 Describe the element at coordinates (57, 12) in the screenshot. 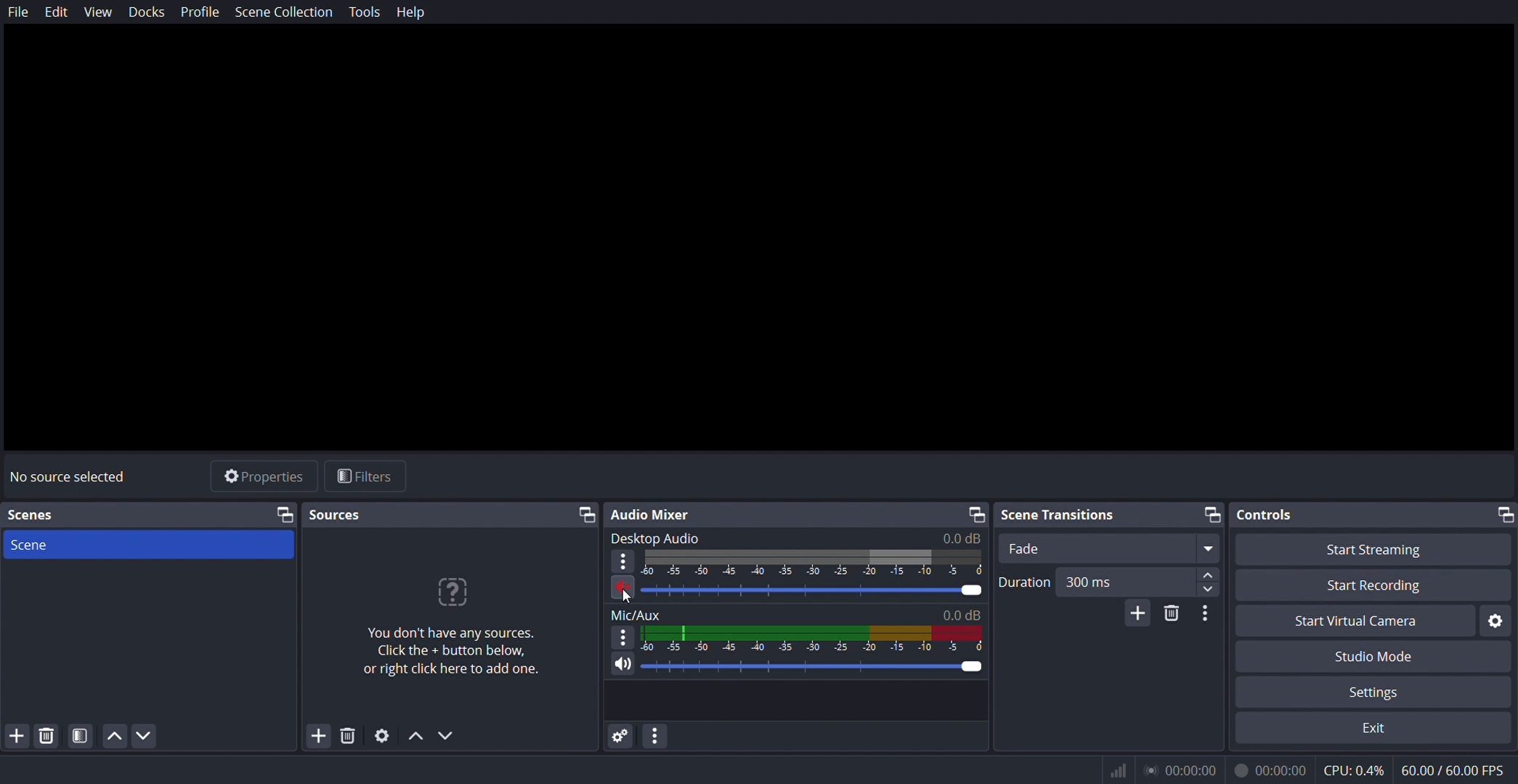

I see `edit` at that location.